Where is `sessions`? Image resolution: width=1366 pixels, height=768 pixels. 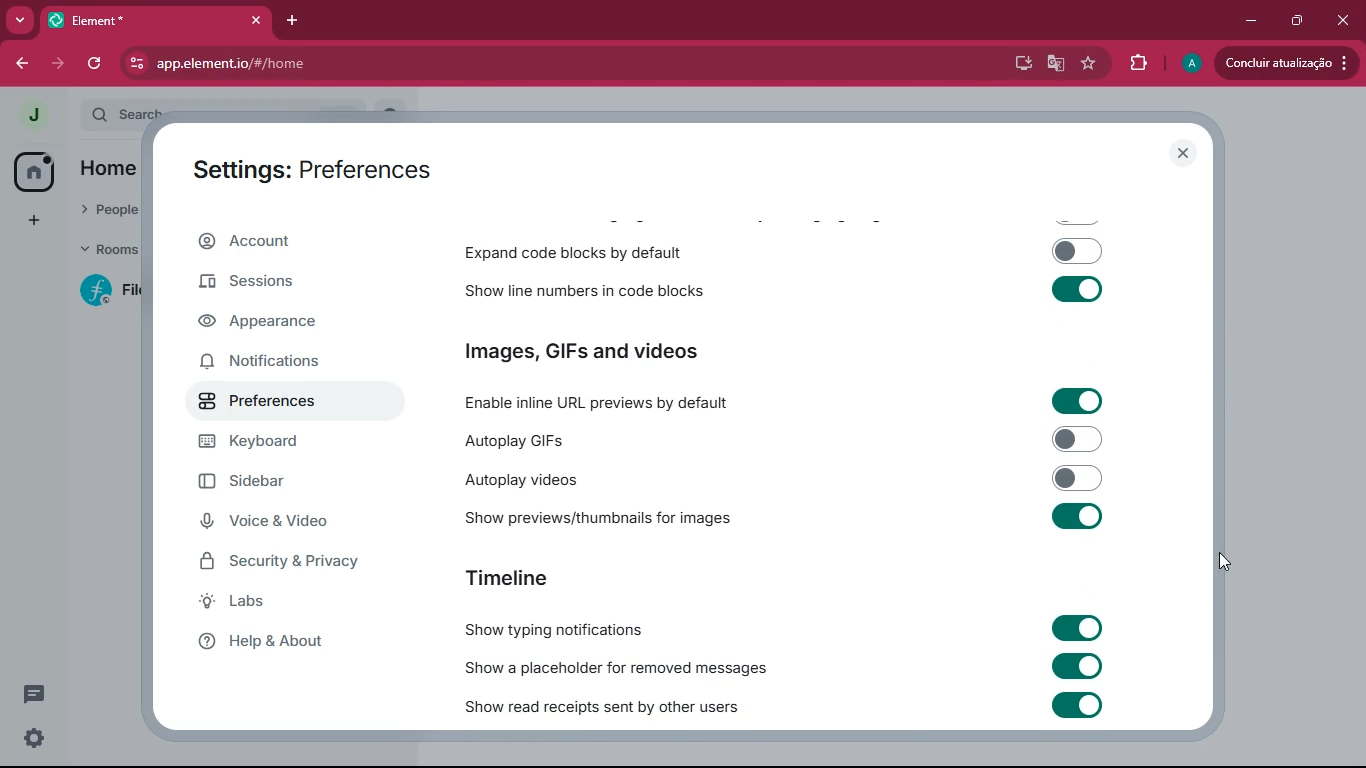
sessions is located at coordinates (278, 283).